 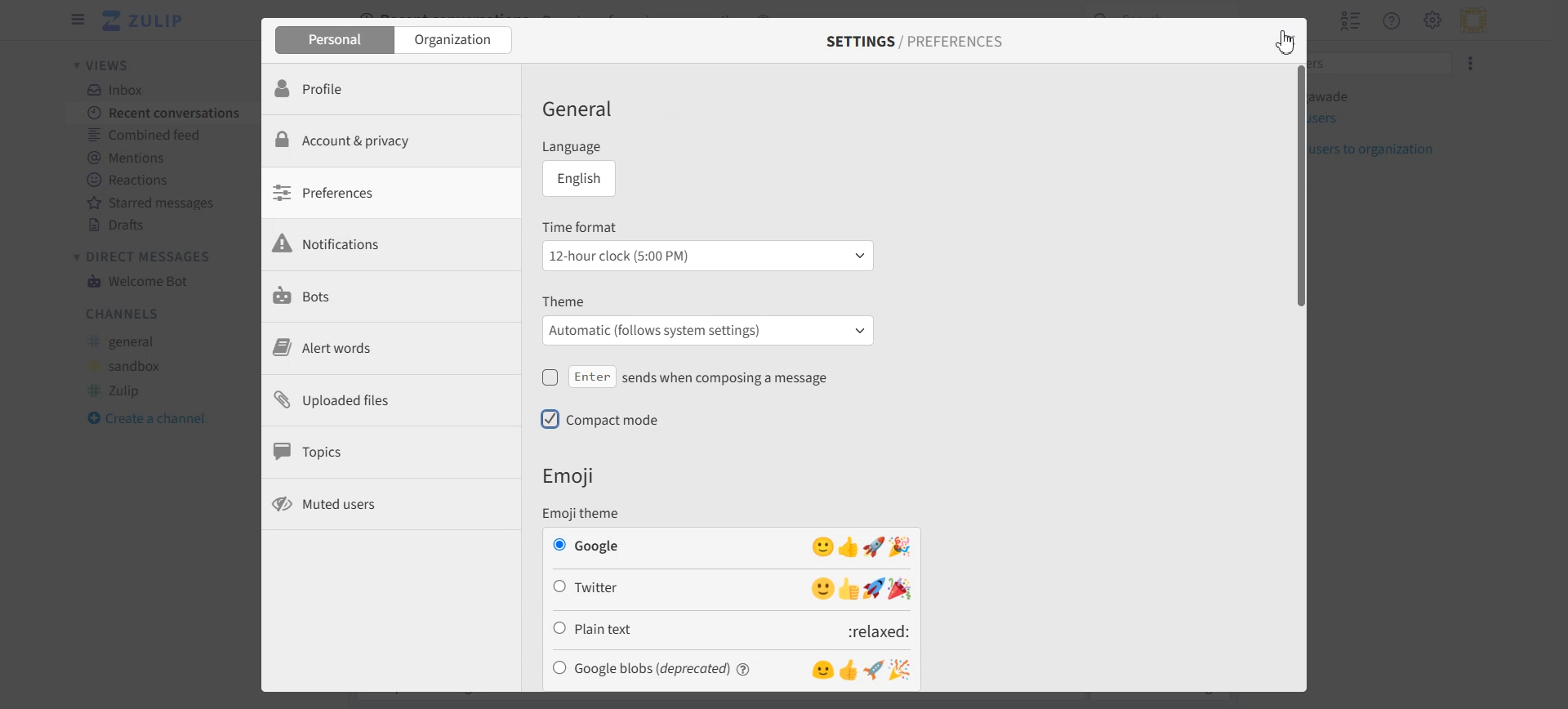 What do you see at coordinates (1297, 377) in the screenshot?
I see `Vertical scrollbar` at bounding box center [1297, 377].